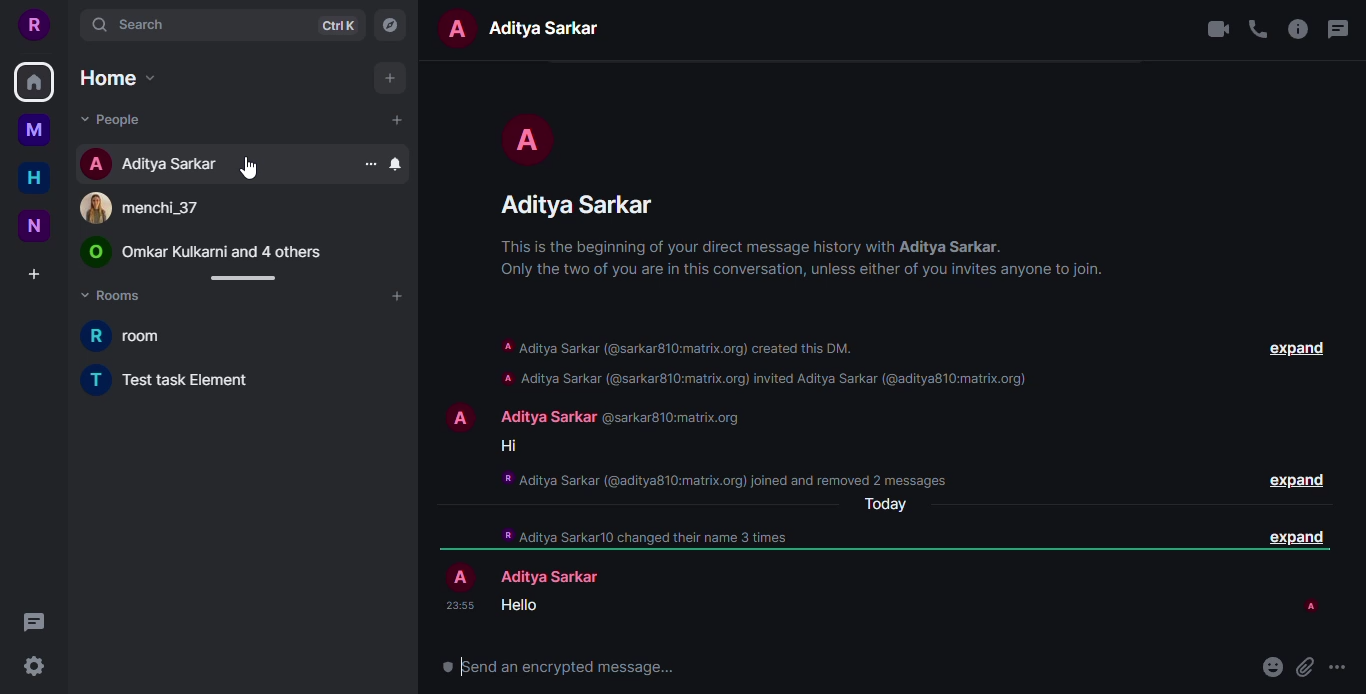 The width and height of the screenshot is (1366, 694). What do you see at coordinates (113, 120) in the screenshot?
I see `people` at bounding box center [113, 120].